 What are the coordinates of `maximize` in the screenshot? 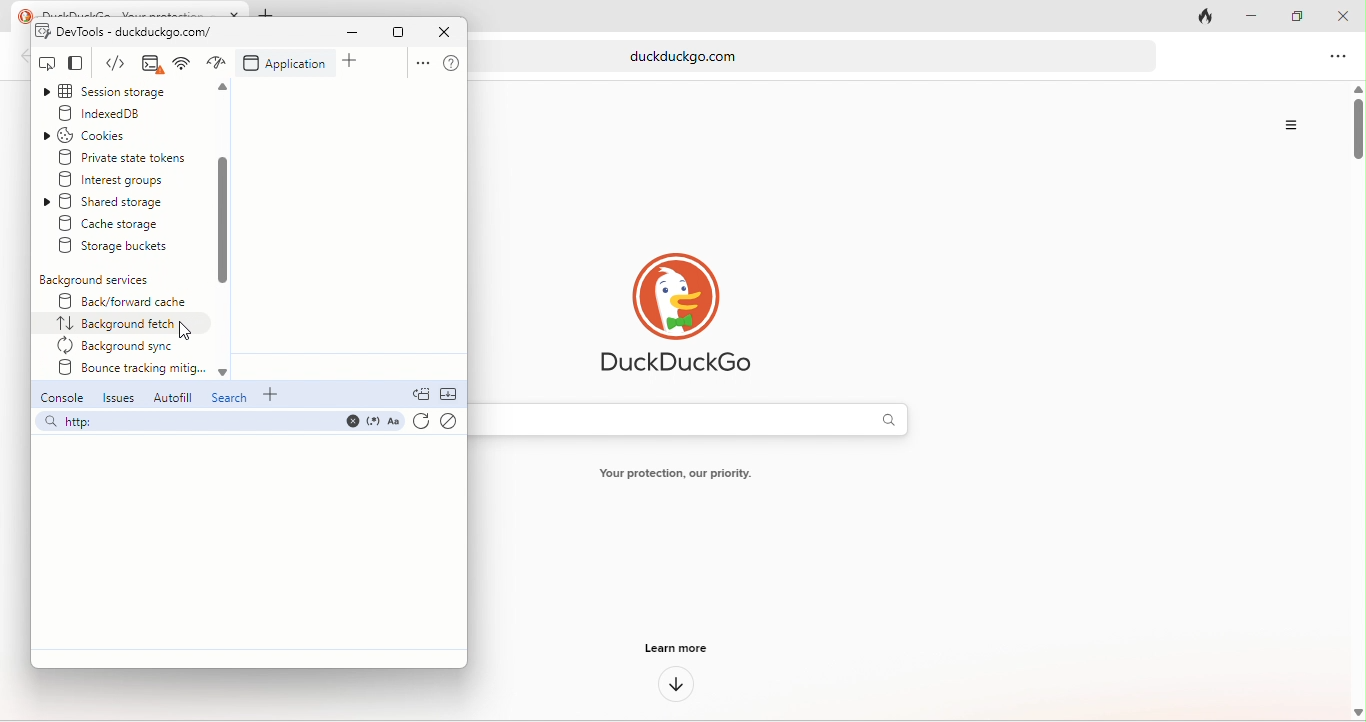 It's located at (1289, 13).